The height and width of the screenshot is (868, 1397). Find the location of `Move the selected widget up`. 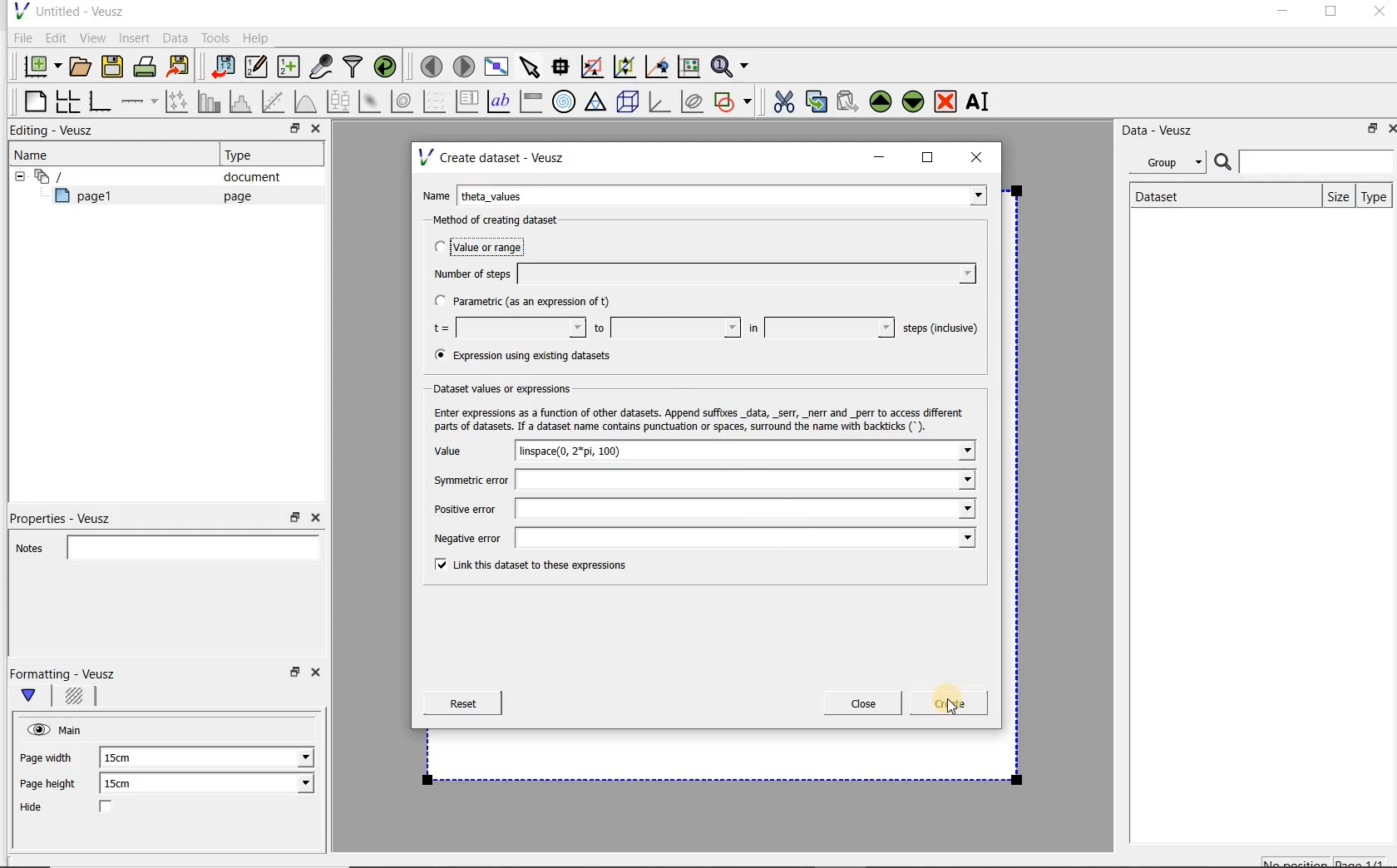

Move the selected widget up is located at coordinates (881, 101).